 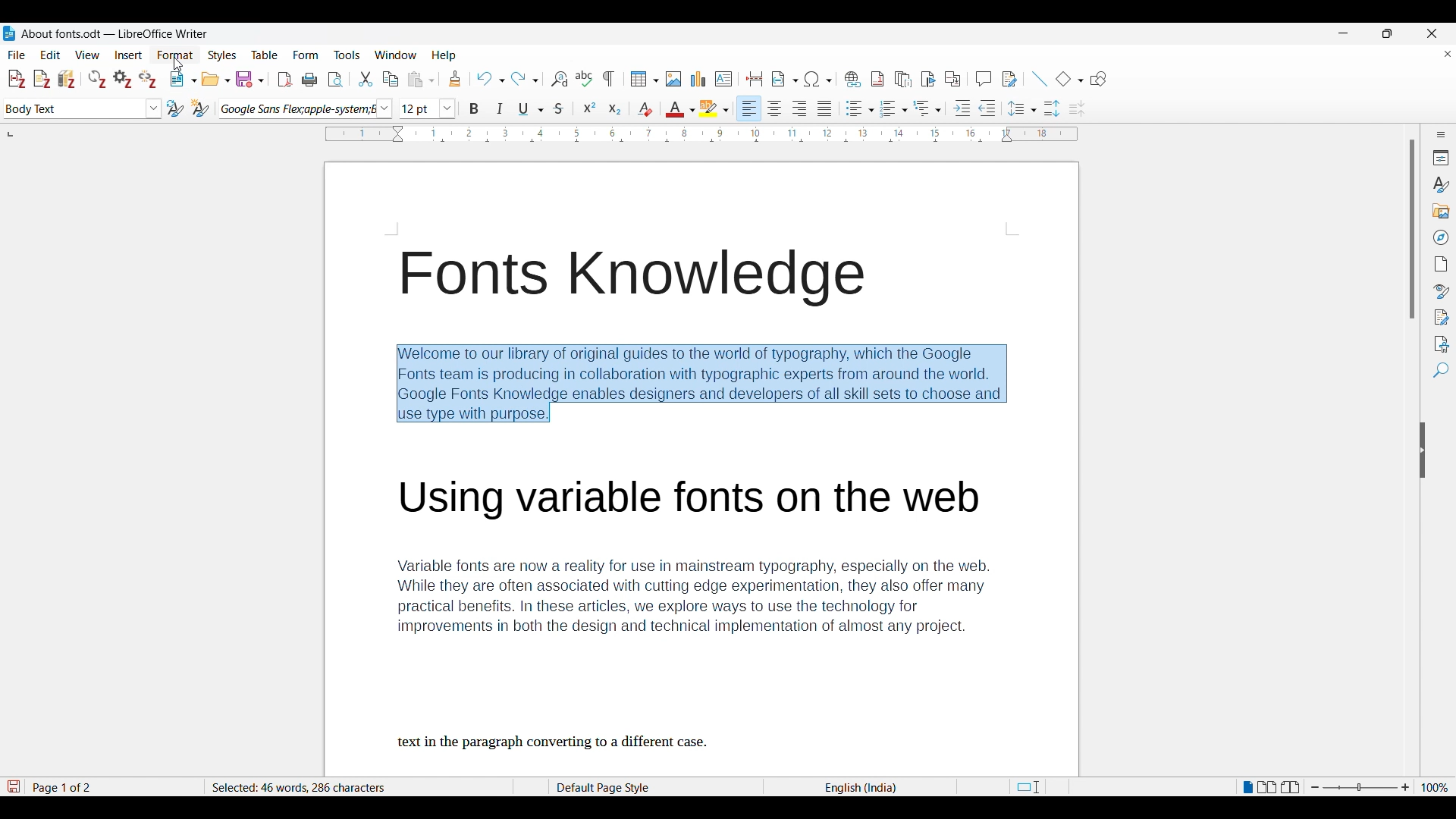 What do you see at coordinates (17, 80) in the screenshot?
I see `Add\Edit citation` at bounding box center [17, 80].